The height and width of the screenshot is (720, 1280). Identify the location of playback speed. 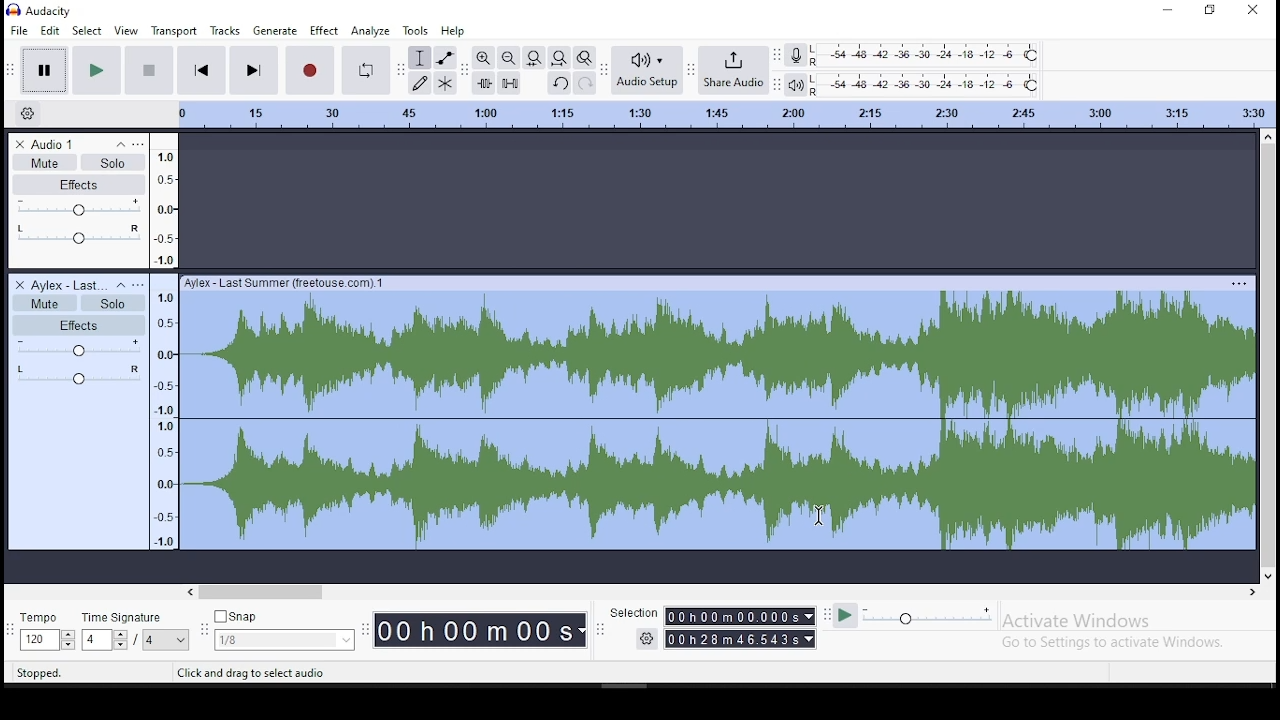
(927, 617).